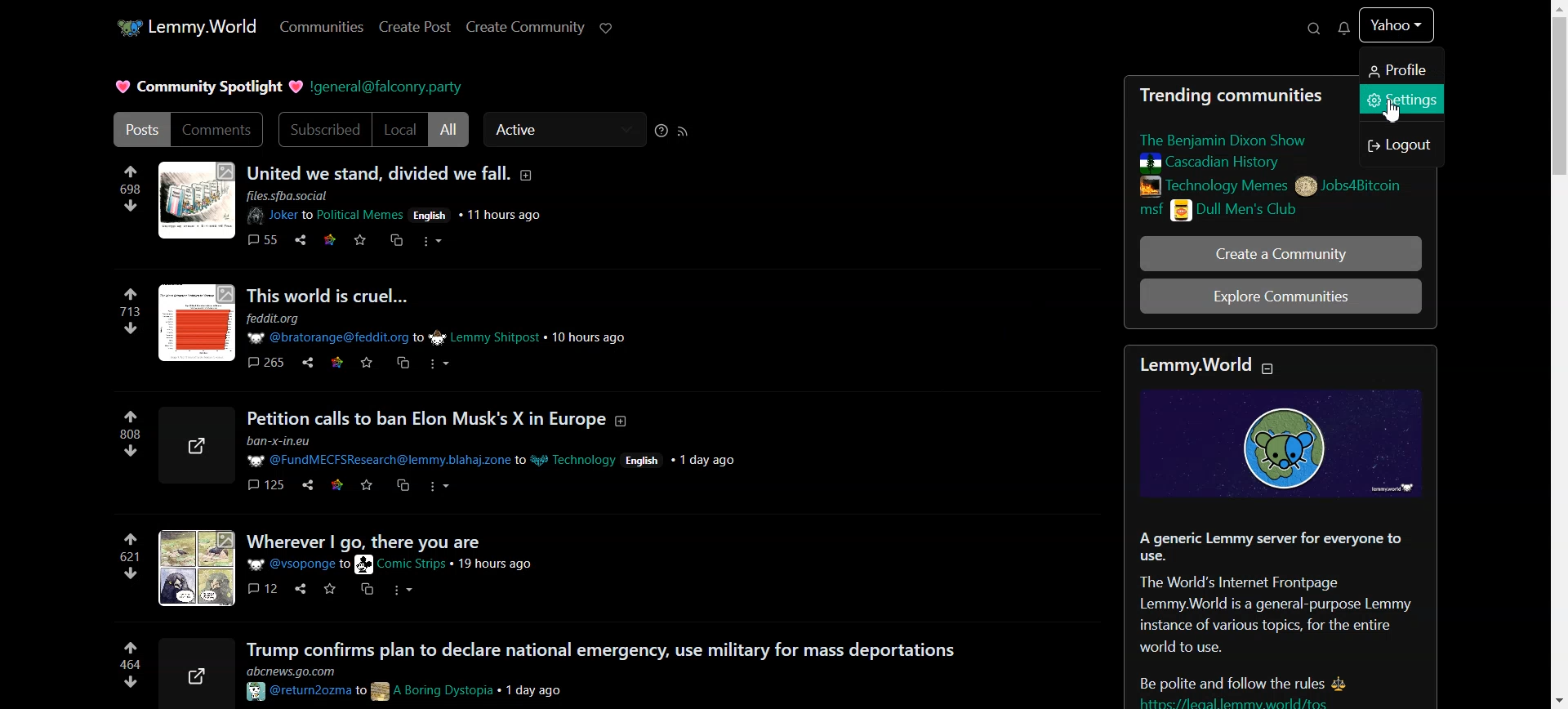 The image size is (1568, 709). What do you see at coordinates (1281, 529) in the screenshot?
I see `Text` at bounding box center [1281, 529].